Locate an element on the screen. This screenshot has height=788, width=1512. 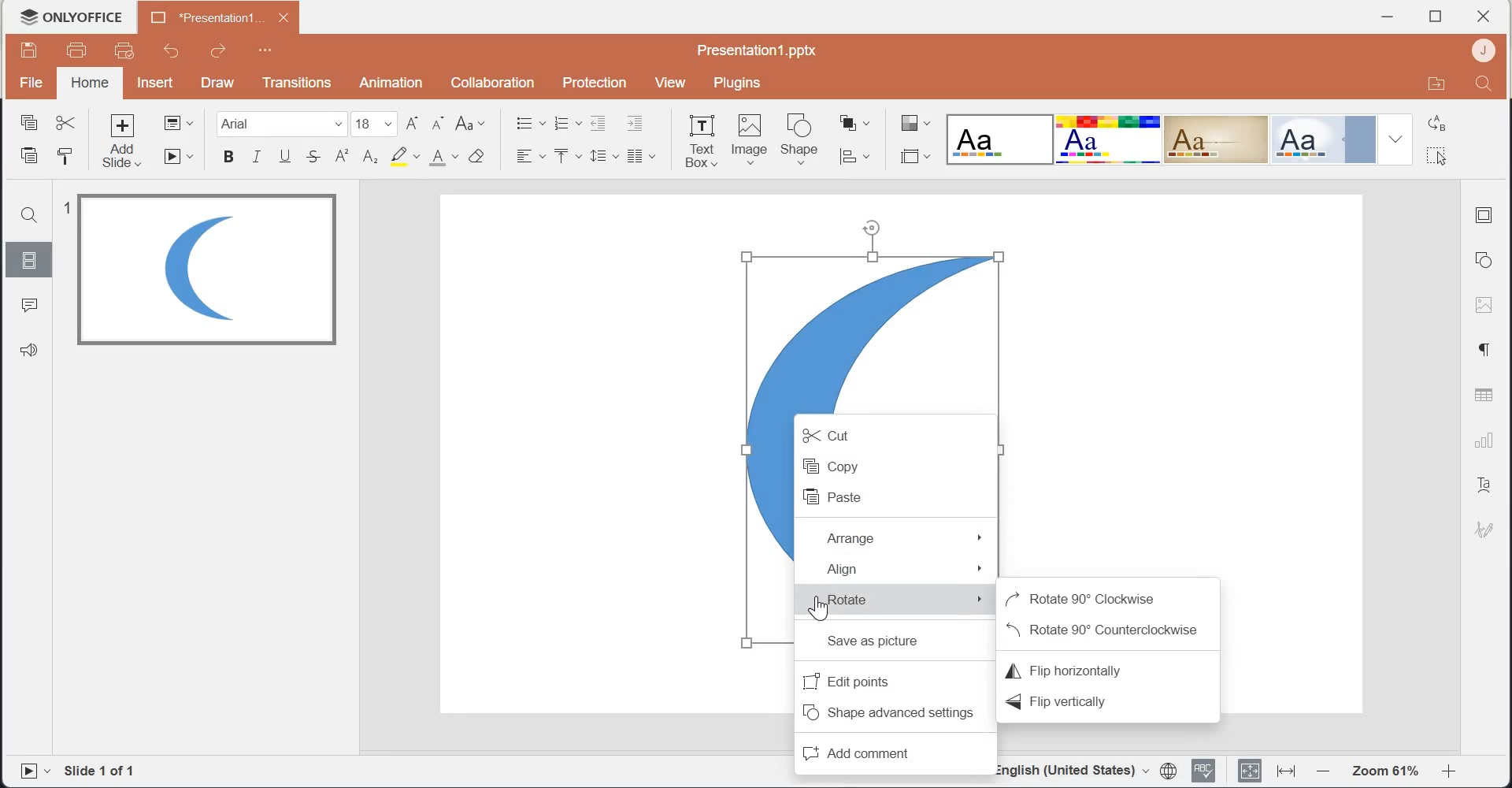
Horizontal Align is located at coordinates (530, 155).